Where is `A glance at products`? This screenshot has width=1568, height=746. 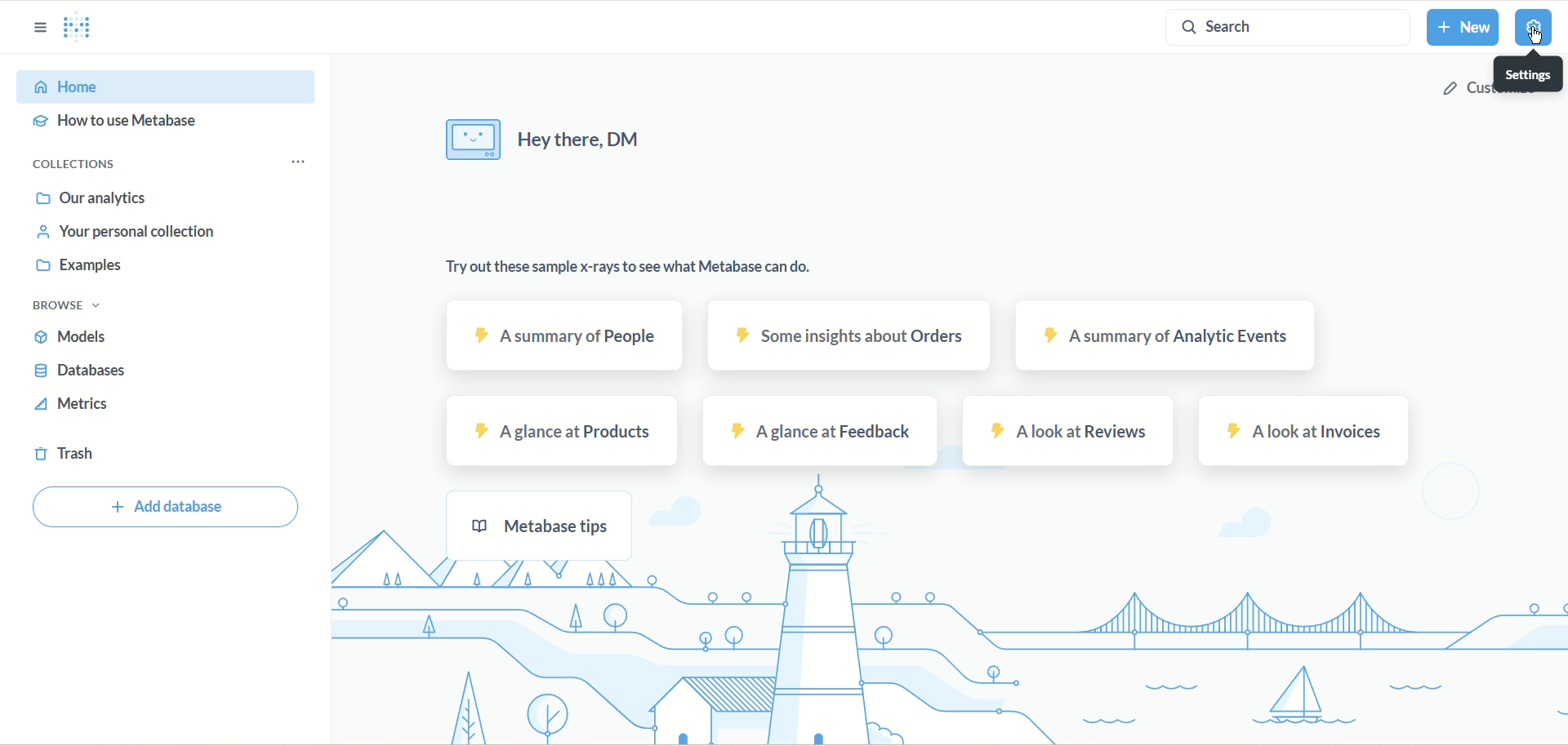 A glance at products is located at coordinates (561, 429).